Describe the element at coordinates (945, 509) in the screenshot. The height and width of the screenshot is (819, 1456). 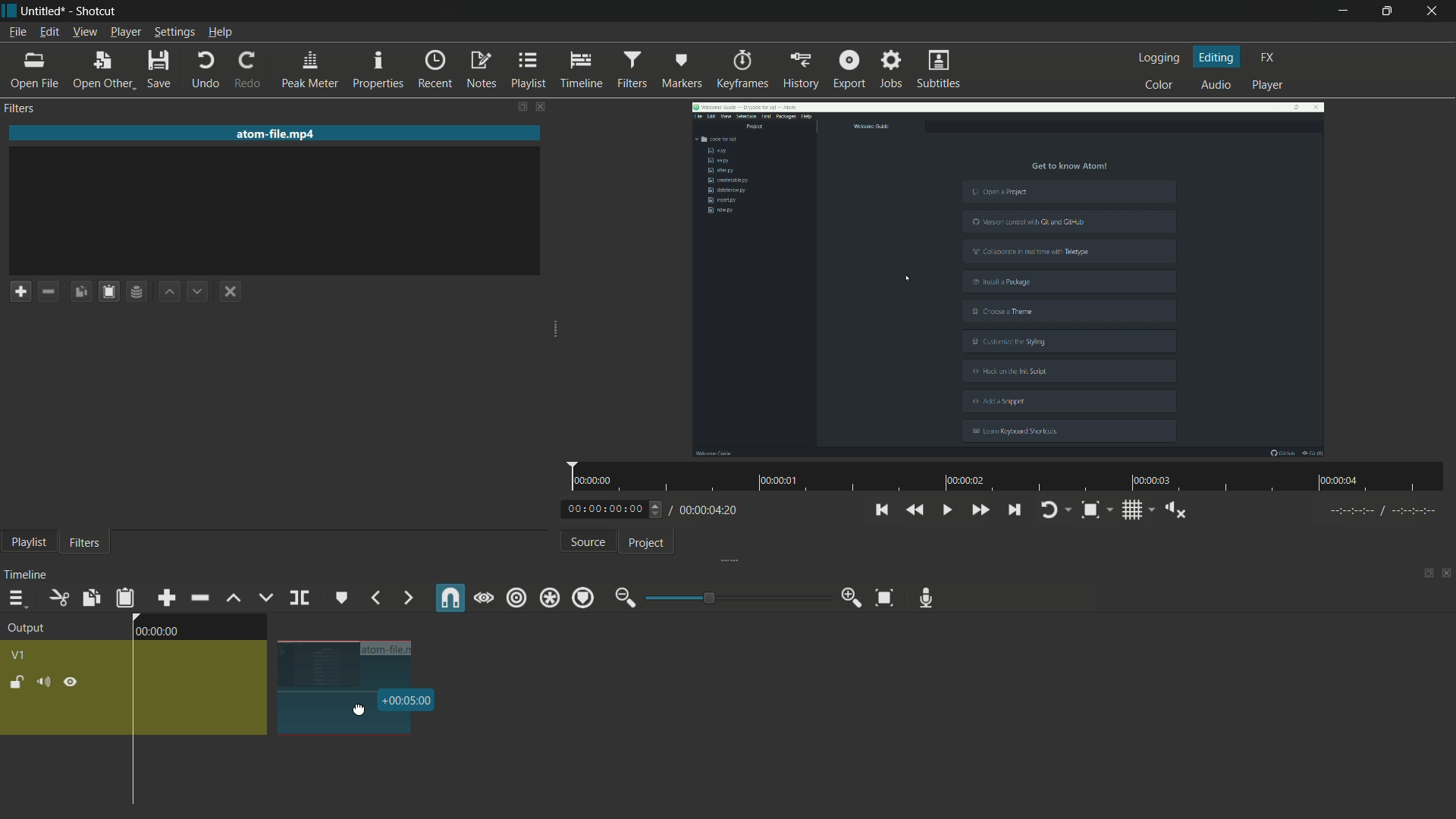
I see `toggle play or pause` at that location.